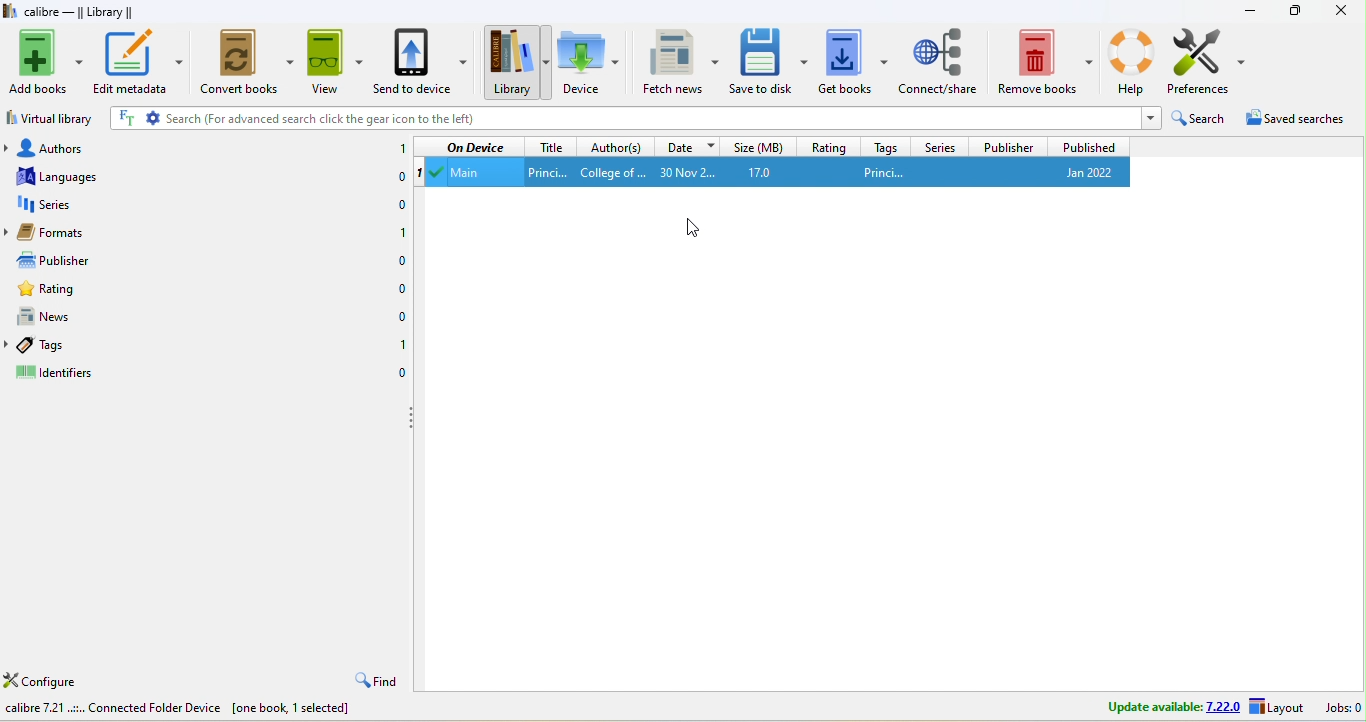  I want to click on find, so click(374, 681).